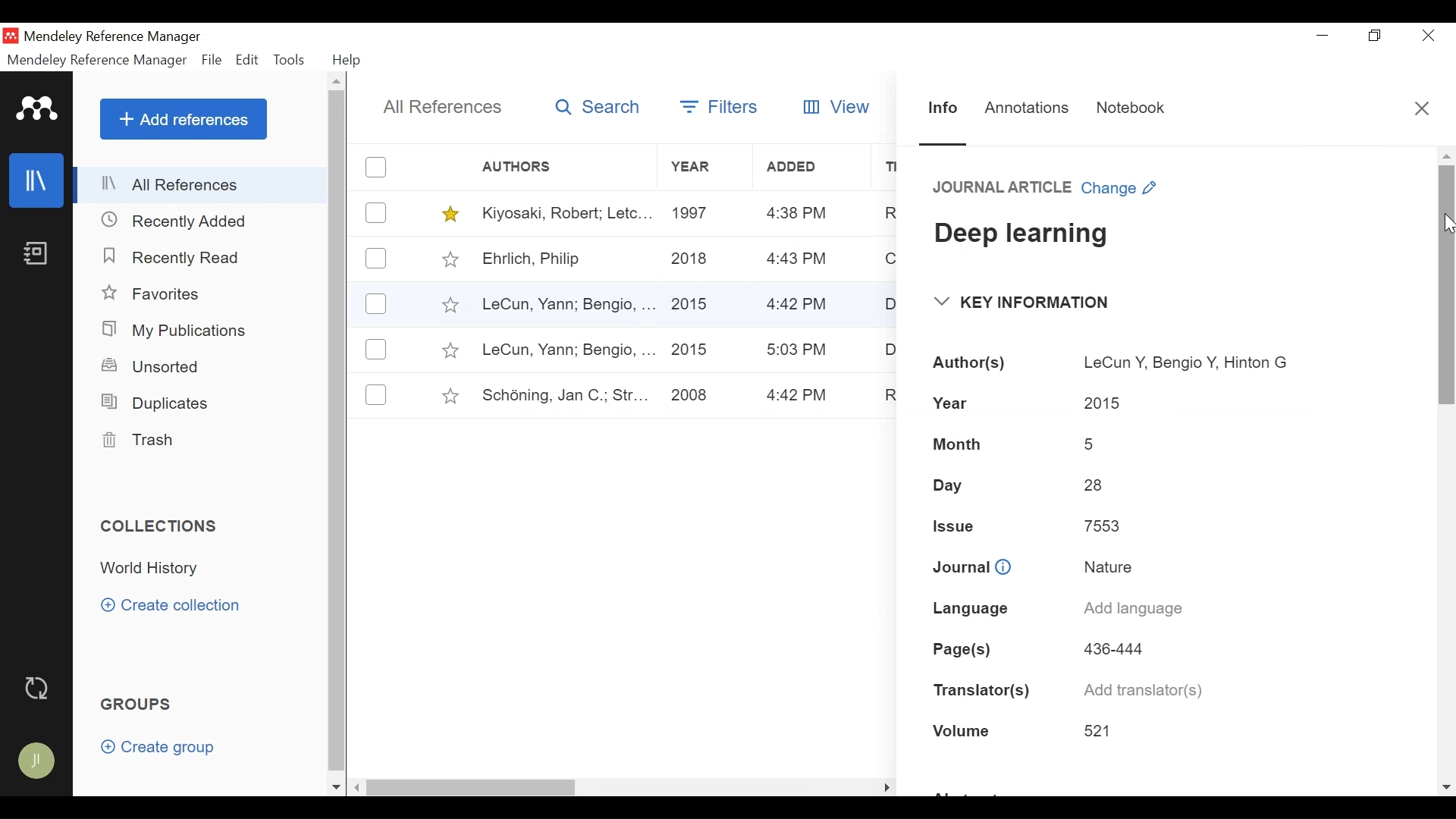 This screenshot has width=1456, height=819. What do you see at coordinates (449, 304) in the screenshot?
I see `Toggle Favorites` at bounding box center [449, 304].